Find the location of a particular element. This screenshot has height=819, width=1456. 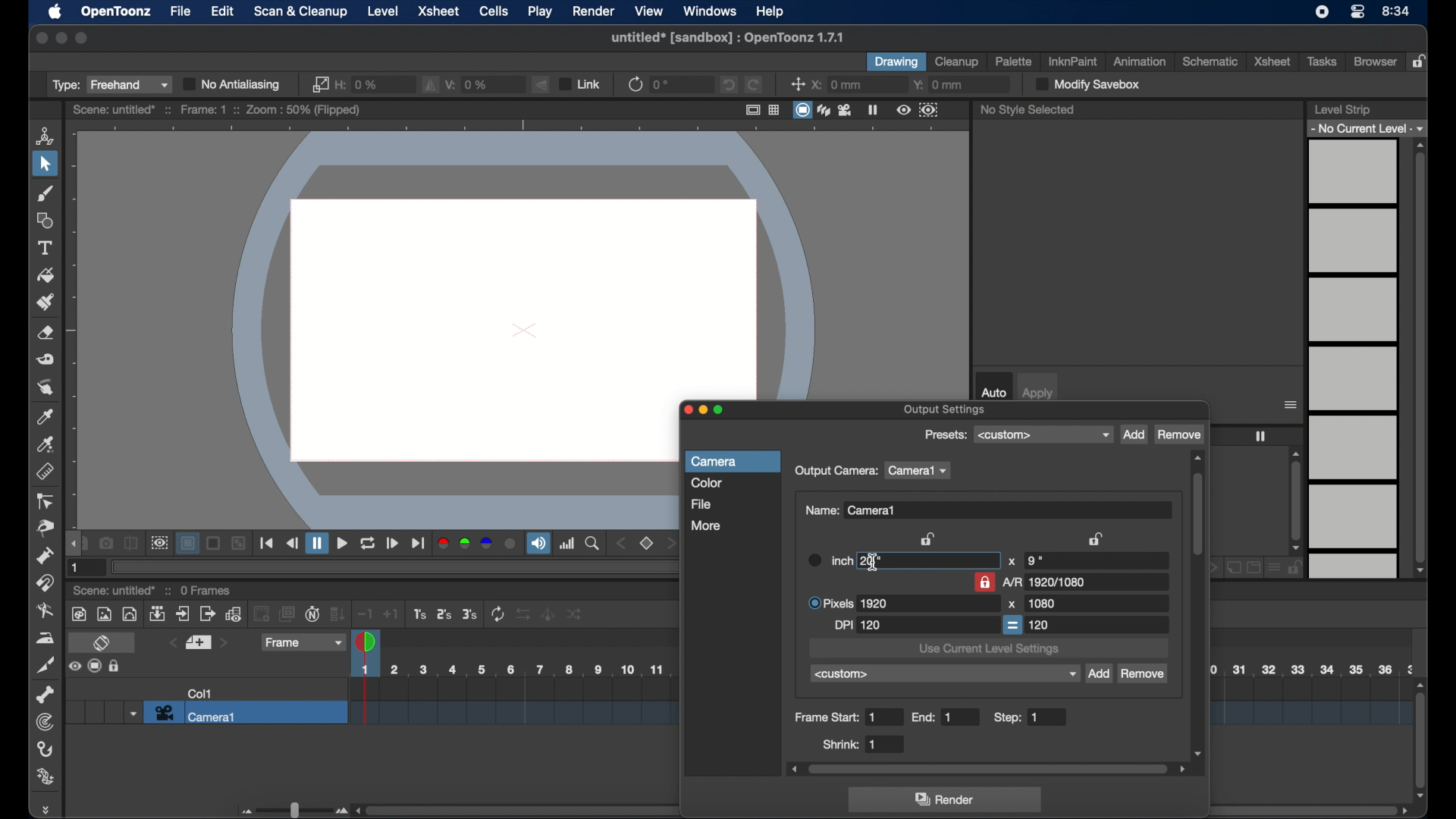

cutter tool is located at coordinates (46, 667).